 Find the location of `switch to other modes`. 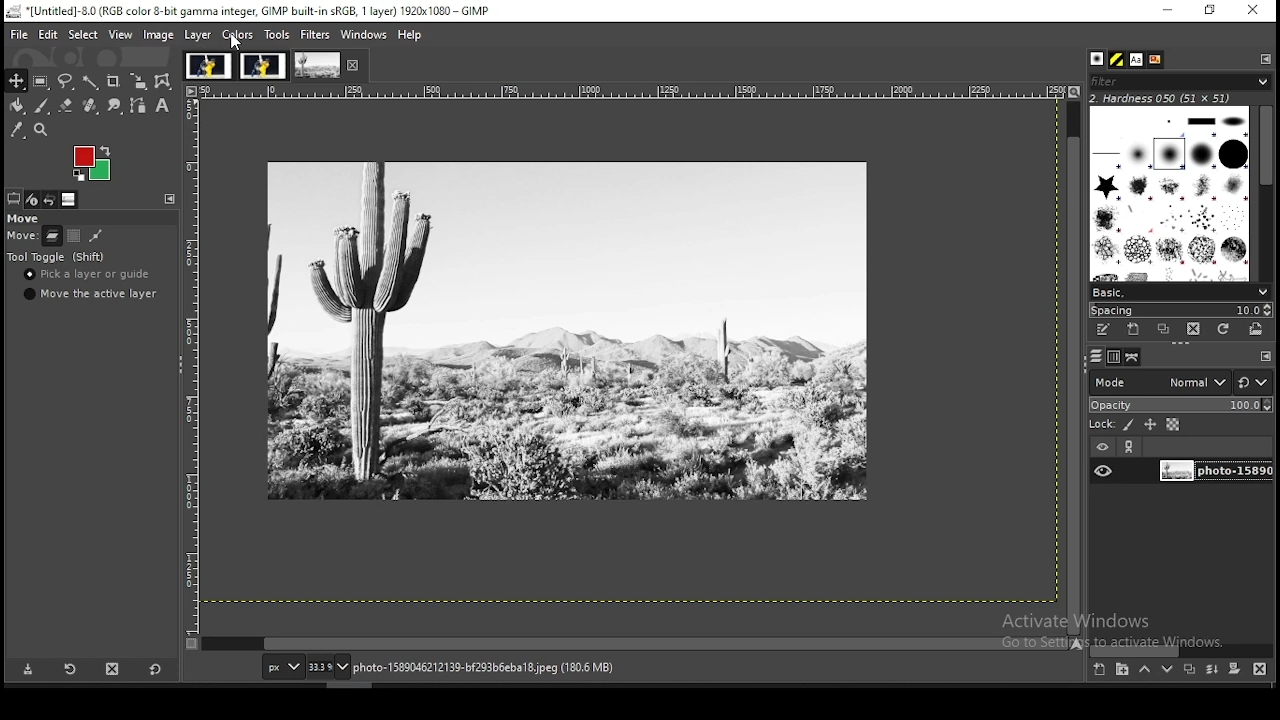

switch to other modes is located at coordinates (1252, 383).